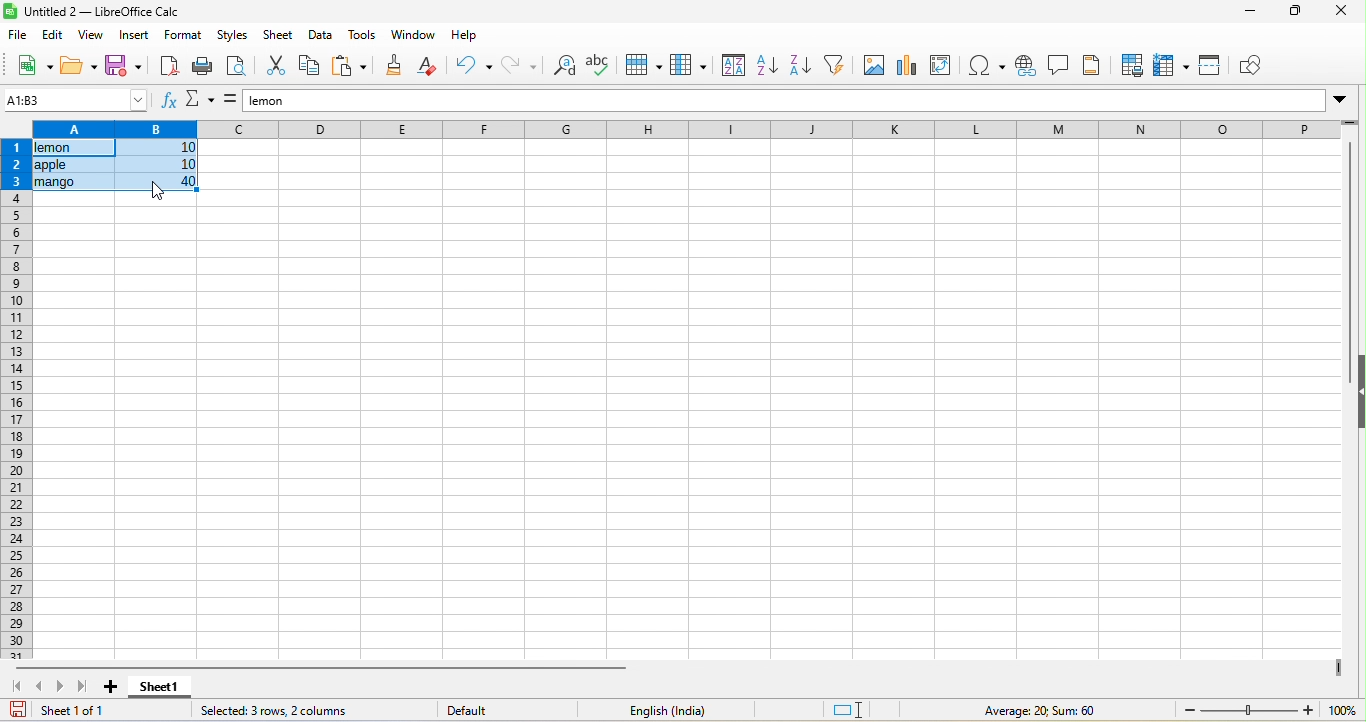  What do you see at coordinates (72, 712) in the screenshot?
I see `sheet 1 of 1` at bounding box center [72, 712].